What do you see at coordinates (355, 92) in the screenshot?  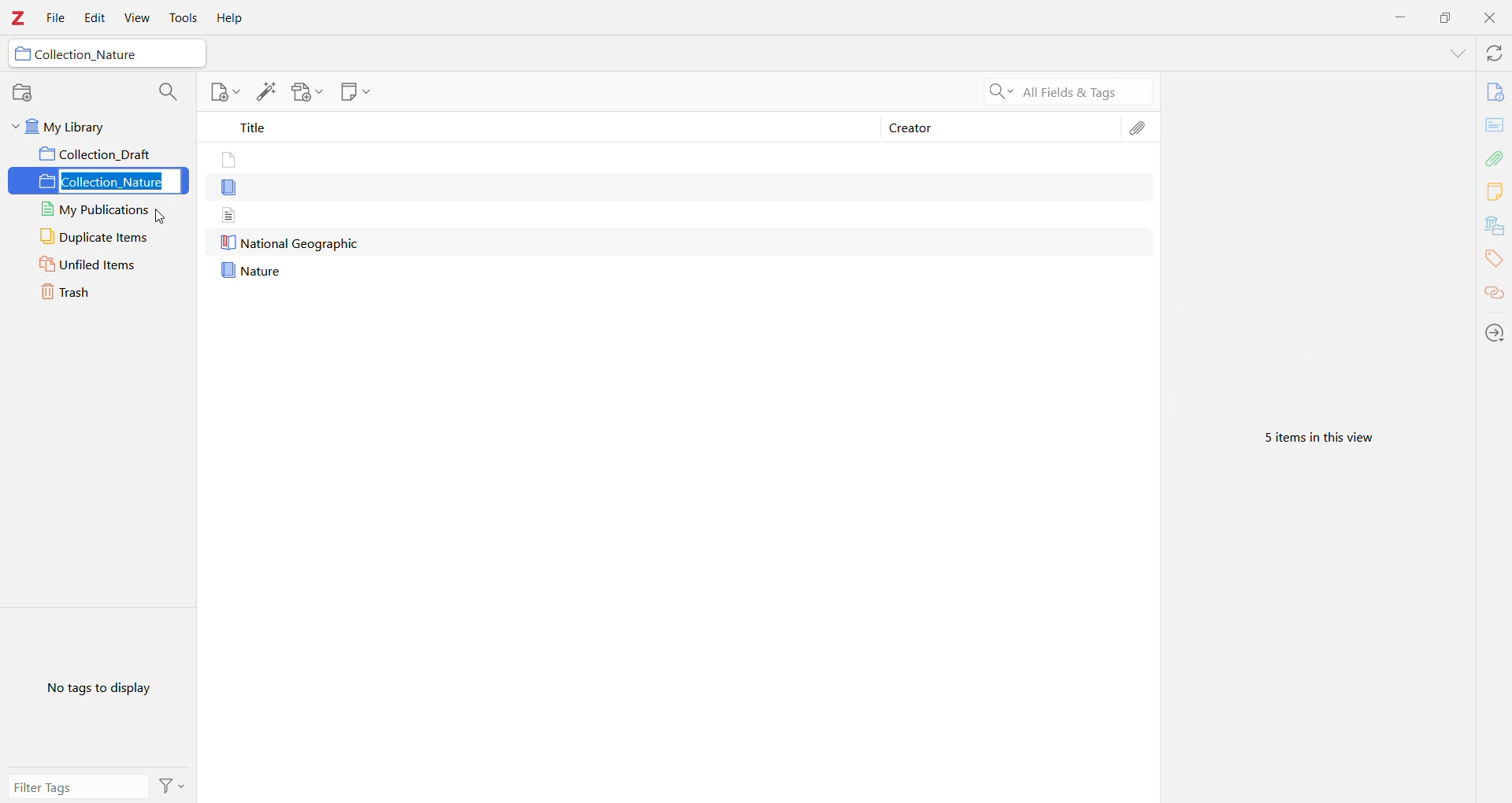 I see `New Note` at bounding box center [355, 92].